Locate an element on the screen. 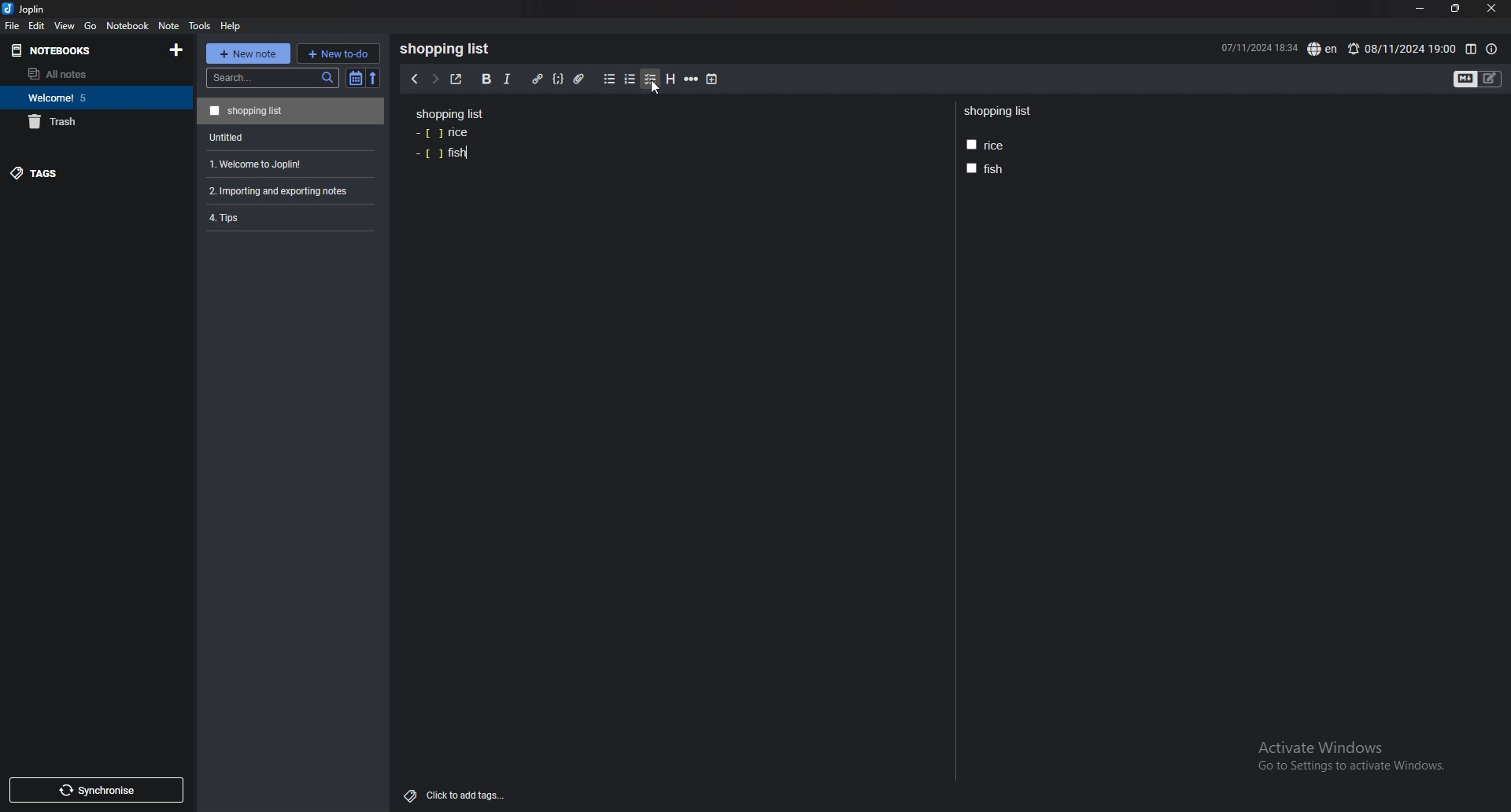  Shopping list is located at coordinates (450, 113).